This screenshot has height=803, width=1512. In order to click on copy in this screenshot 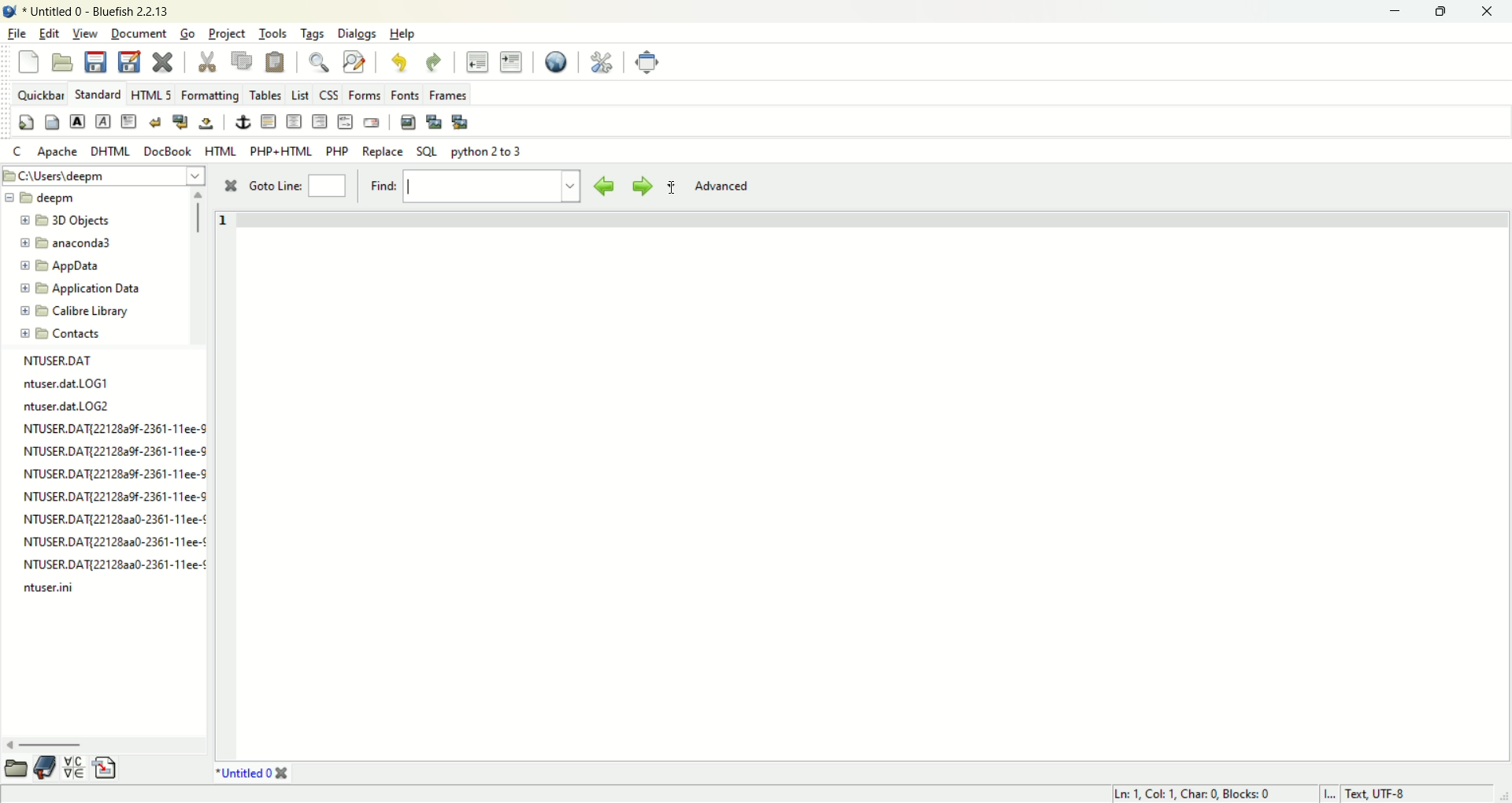, I will do `click(243, 60)`.